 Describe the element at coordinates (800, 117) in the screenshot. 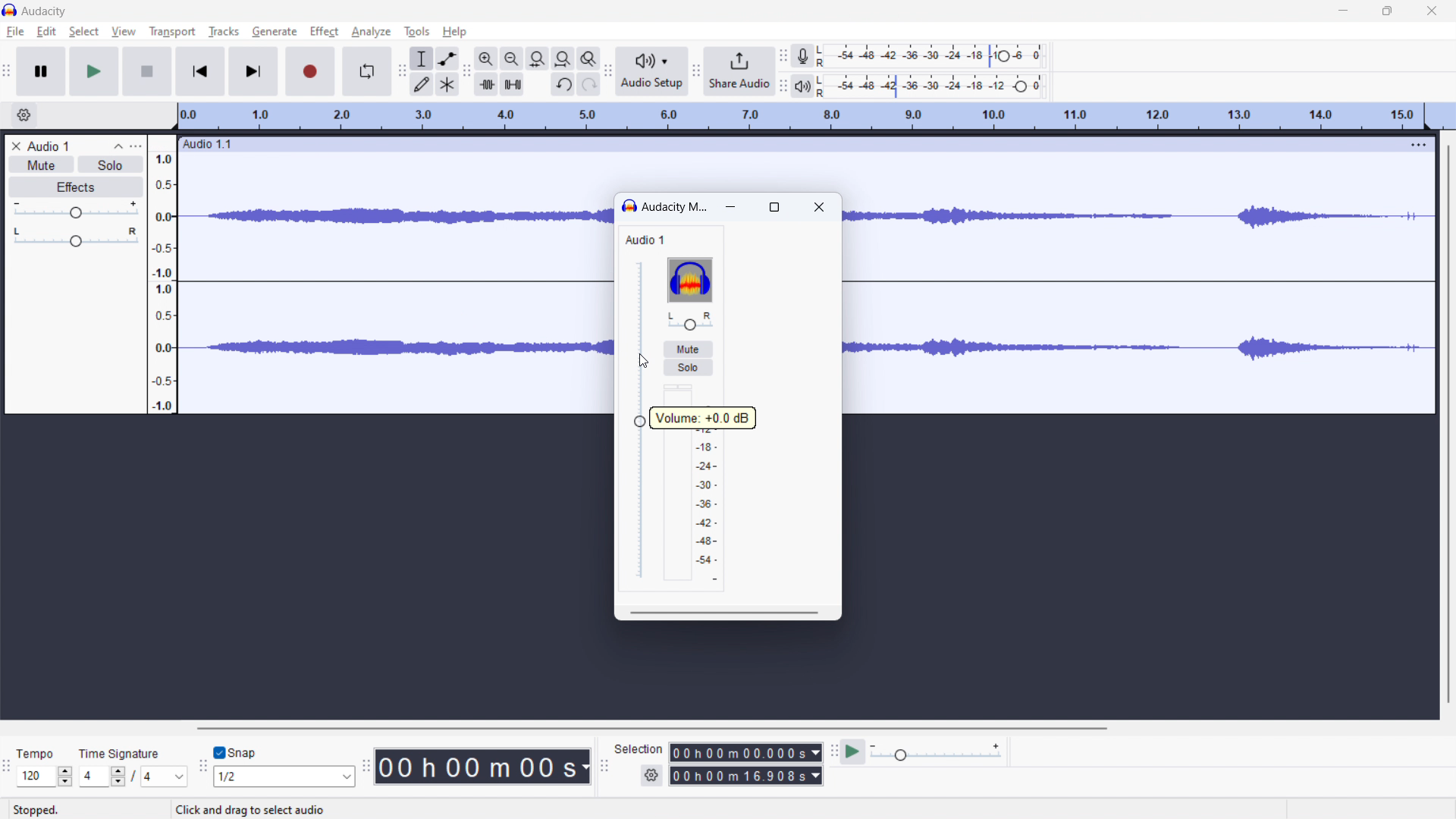

I see `timeline` at that location.